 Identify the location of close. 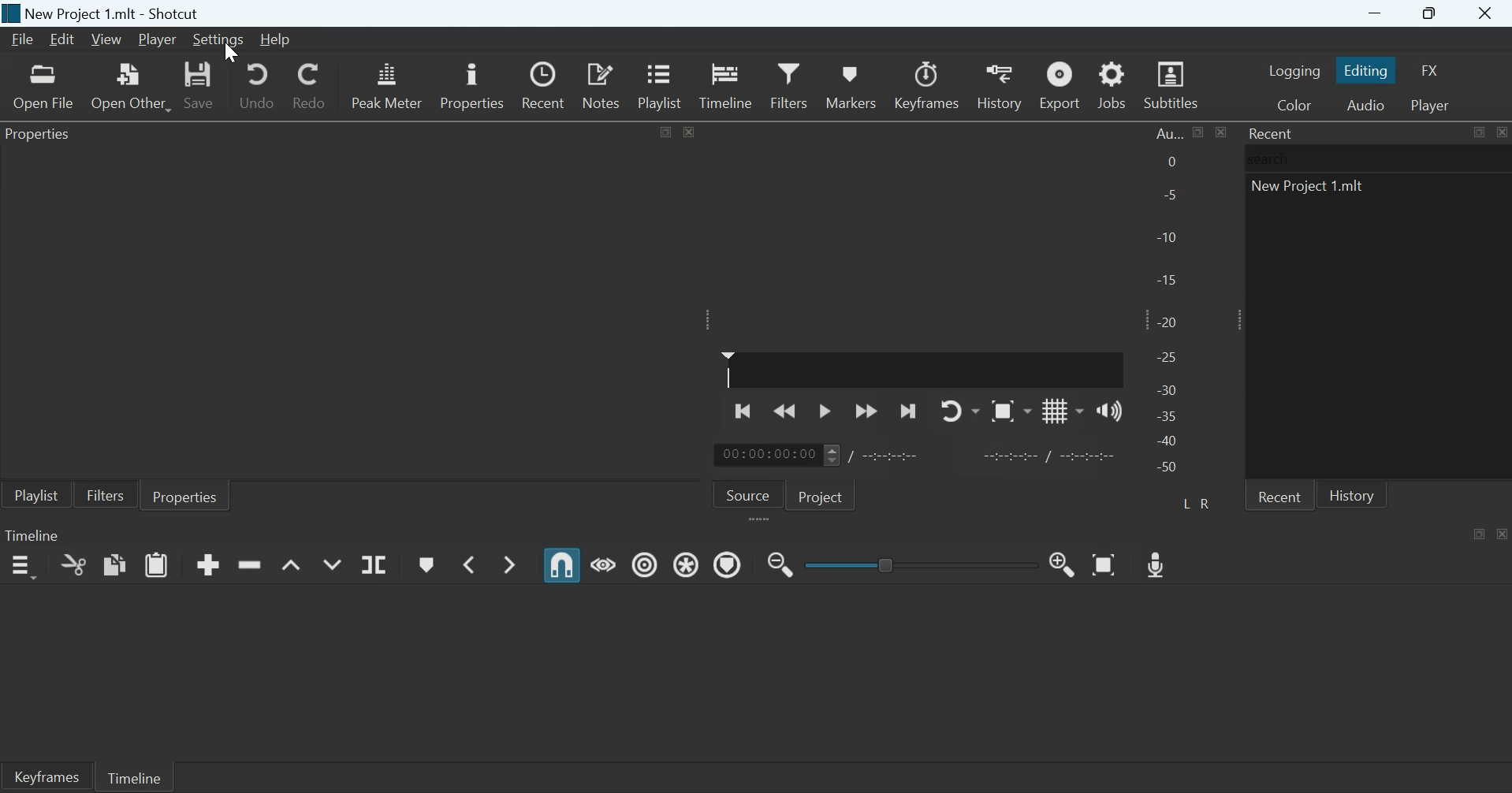
(689, 131).